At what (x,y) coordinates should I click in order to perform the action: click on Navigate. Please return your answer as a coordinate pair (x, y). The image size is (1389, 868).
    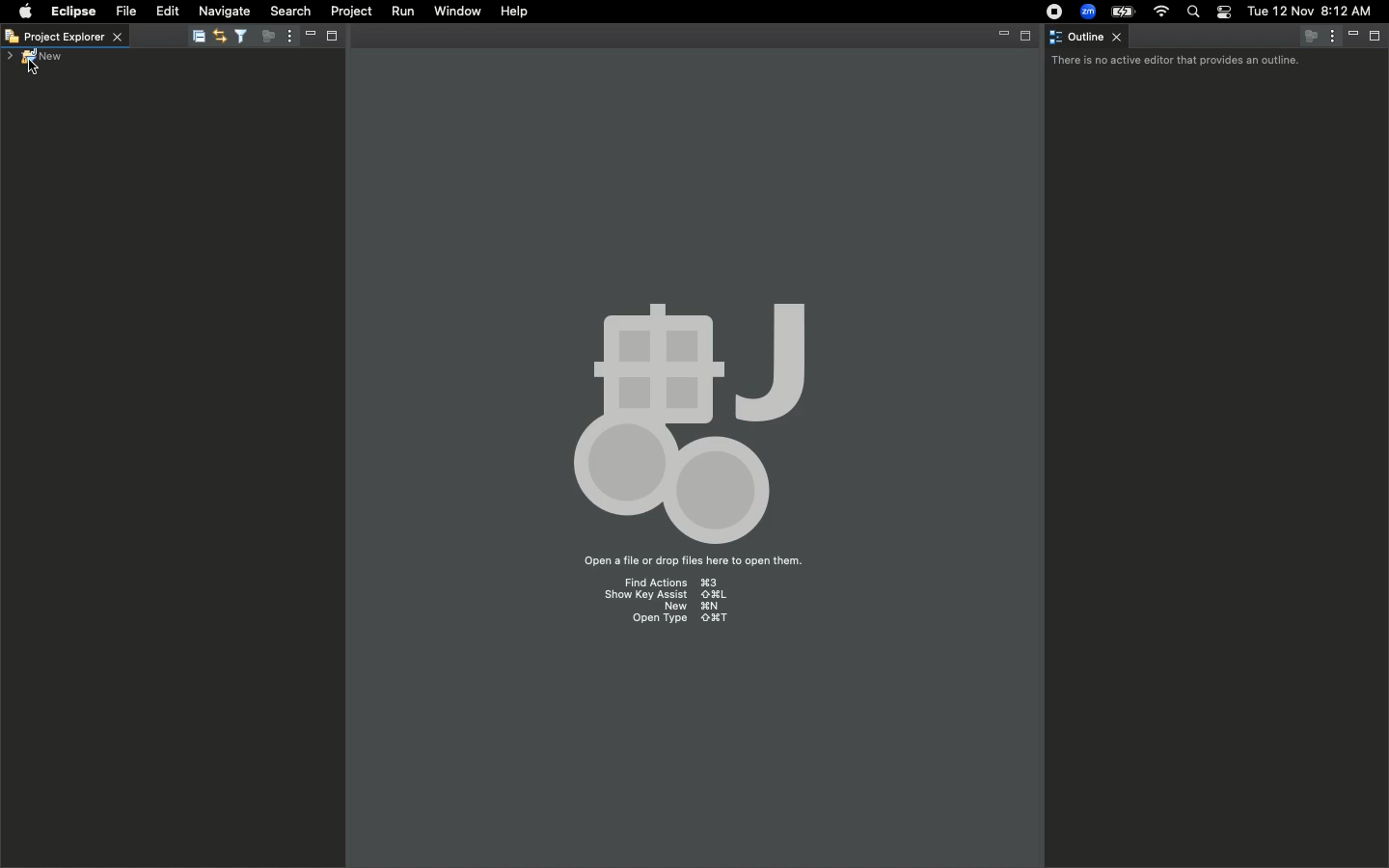
    Looking at the image, I should click on (222, 12).